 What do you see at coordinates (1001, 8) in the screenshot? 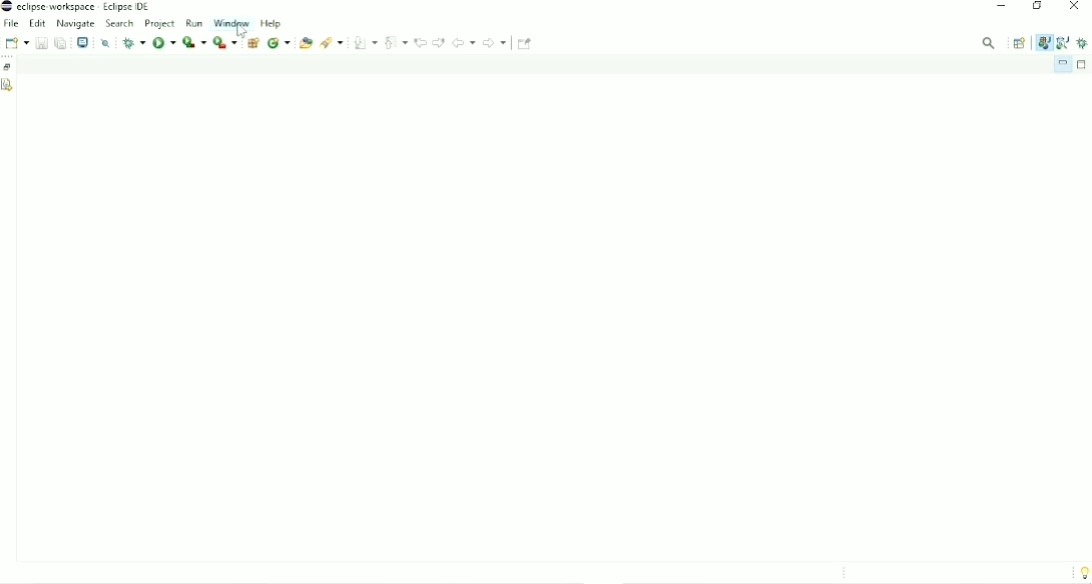
I see `Minimize` at bounding box center [1001, 8].